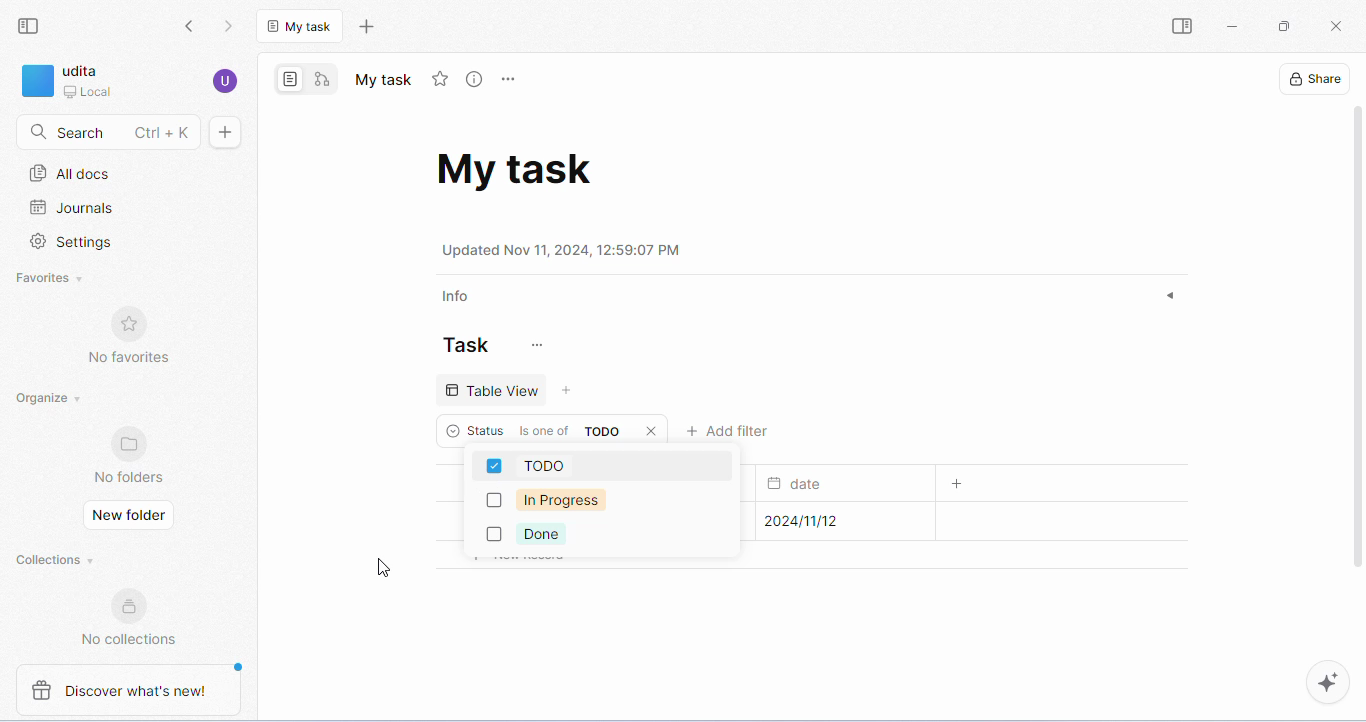  I want to click on go forward, so click(231, 27).